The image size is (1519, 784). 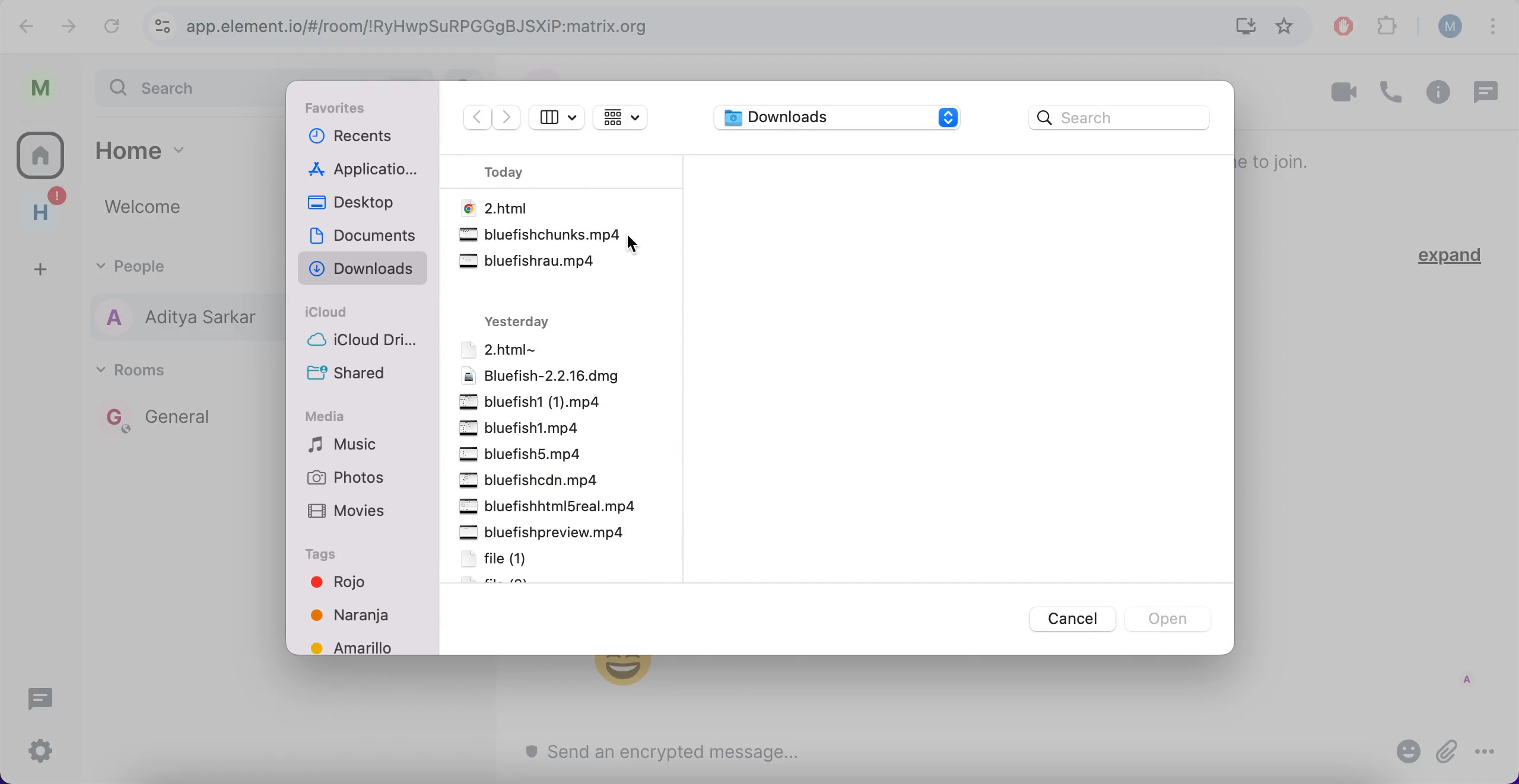 I want to click on desktop, so click(x=368, y=203).